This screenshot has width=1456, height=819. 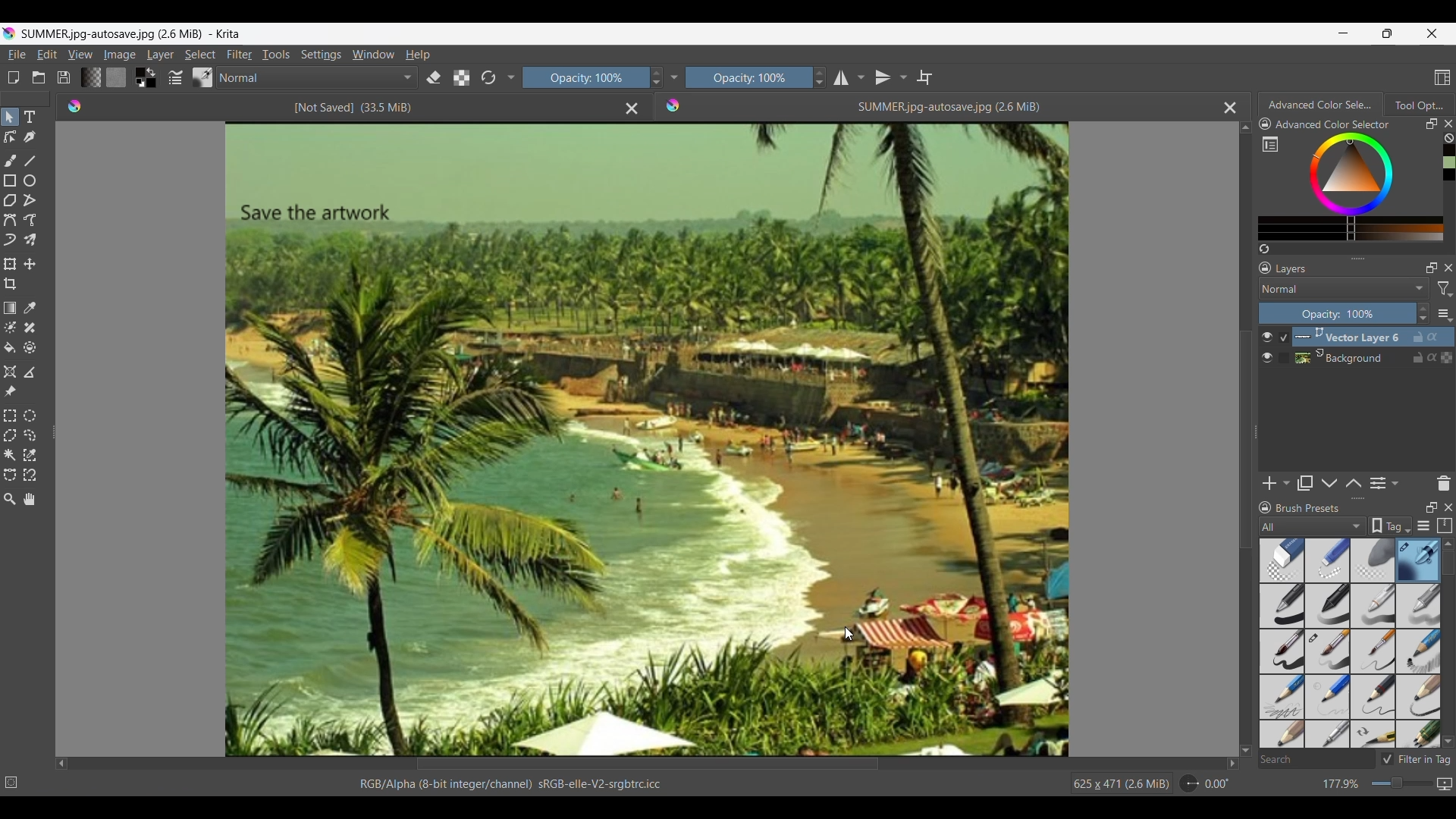 What do you see at coordinates (10, 180) in the screenshot?
I see `Rectangle tool` at bounding box center [10, 180].